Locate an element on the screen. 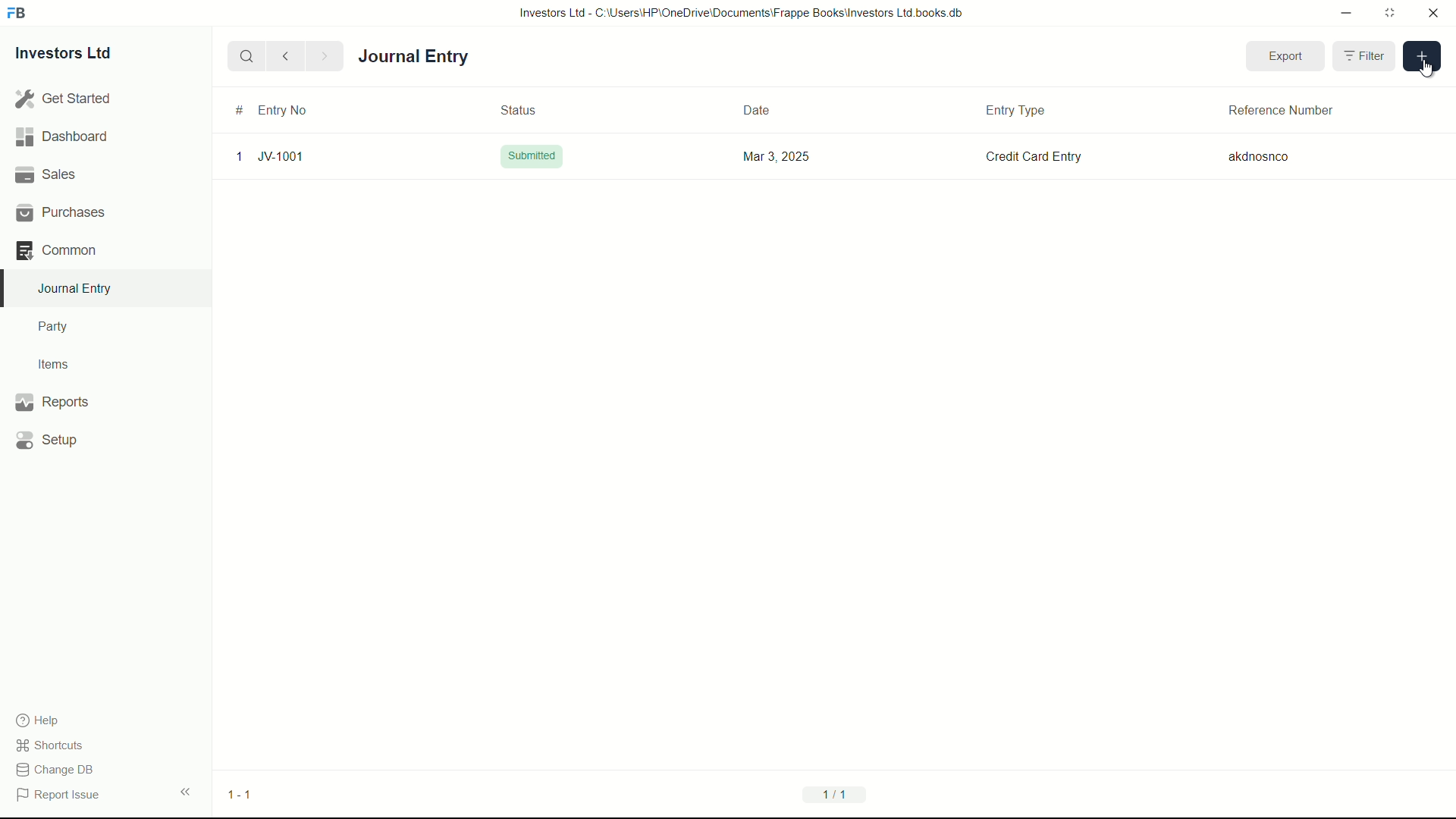 Image resolution: width=1456 pixels, height=819 pixels. 1 is located at coordinates (234, 157).